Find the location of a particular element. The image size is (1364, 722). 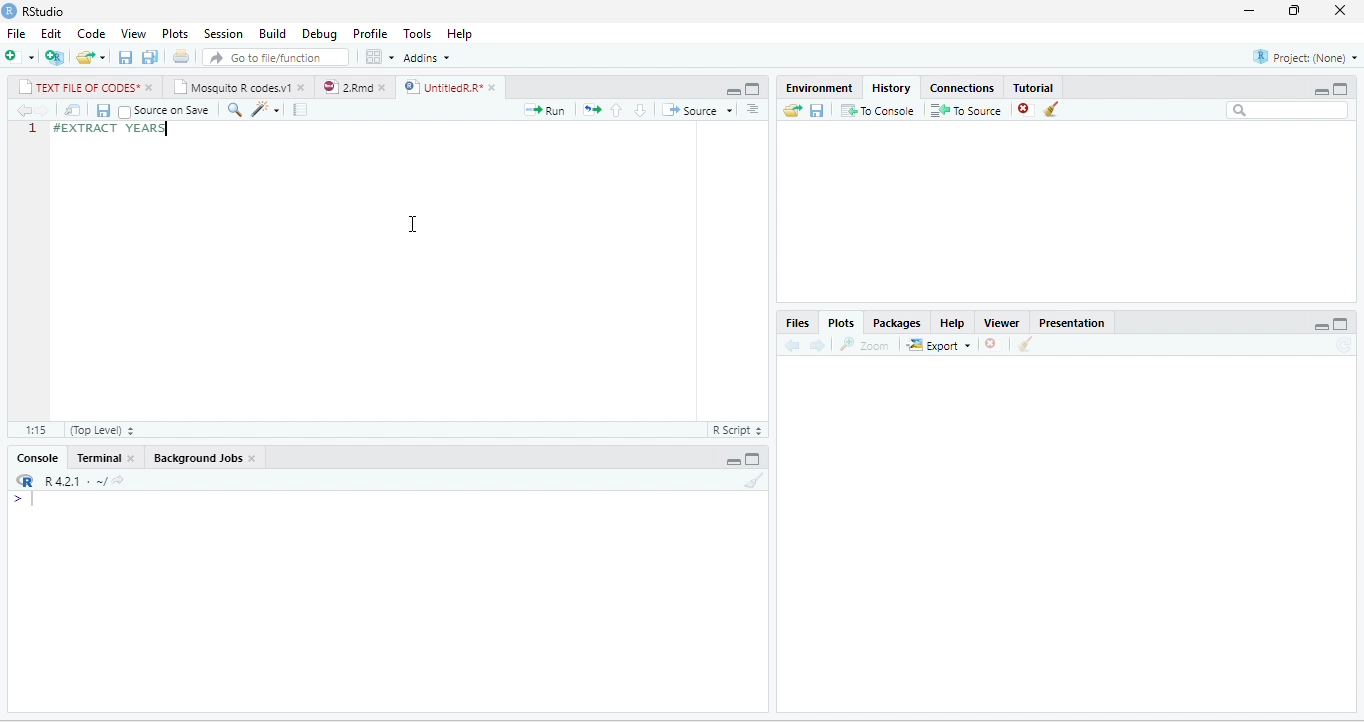

cursor is located at coordinates (414, 225).